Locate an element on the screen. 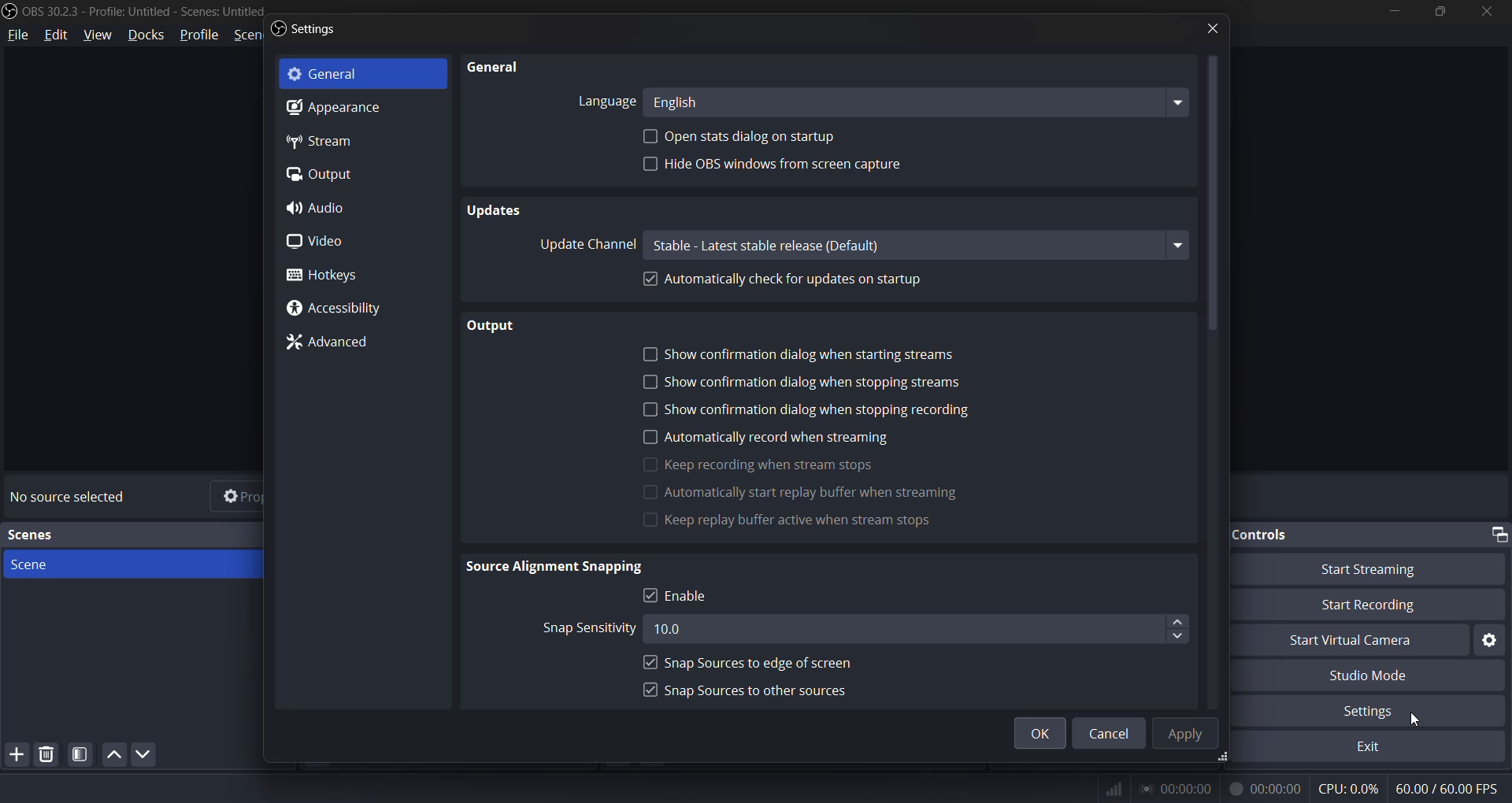 Image resolution: width=1512 pixels, height=803 pixels. checkbox is located at coordinates (651, 661).